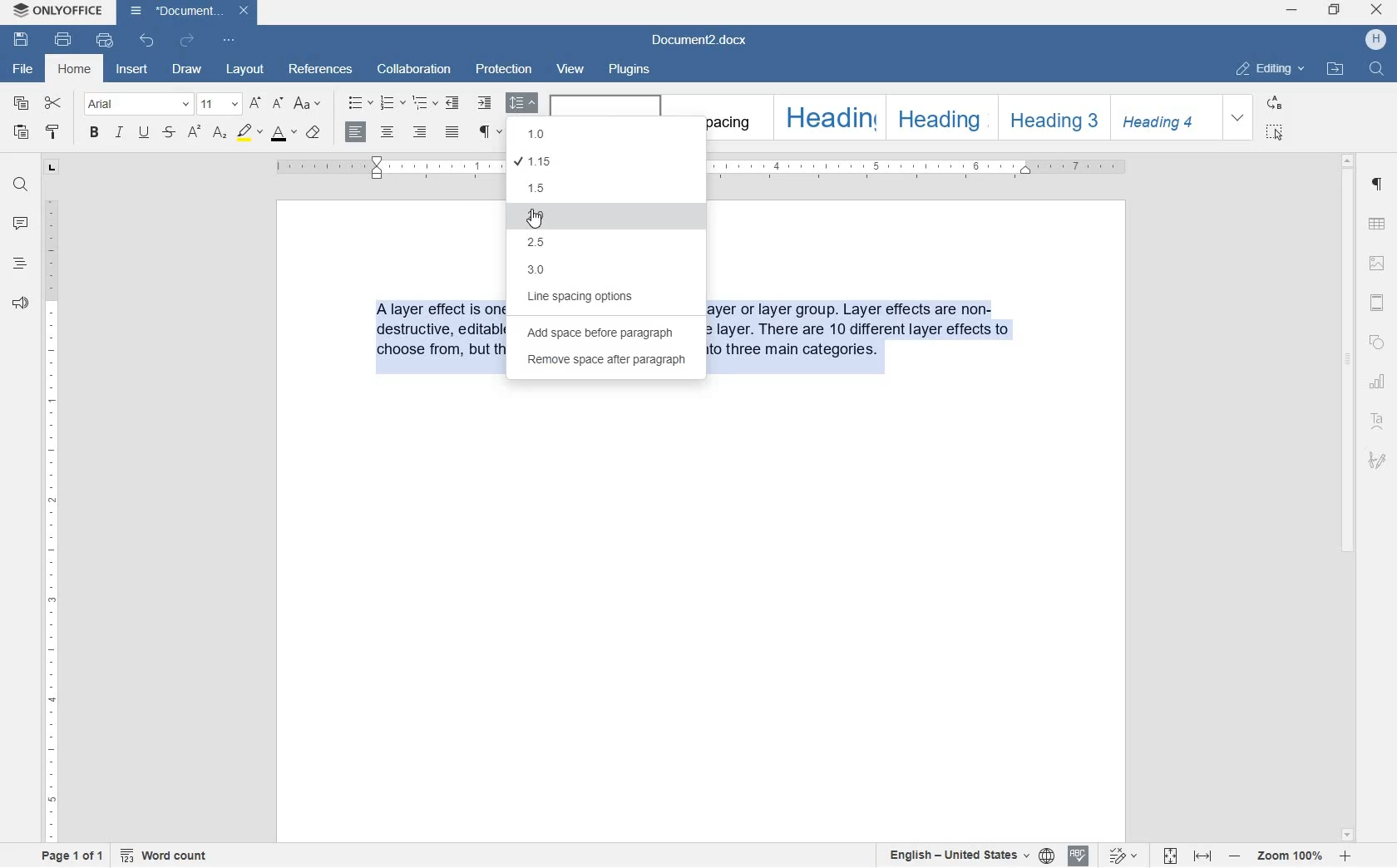 The image size is (1397, 868). Describe the element at coordinates (522, 104) in the screenshot. I see `paragraph line spacing` at that location.